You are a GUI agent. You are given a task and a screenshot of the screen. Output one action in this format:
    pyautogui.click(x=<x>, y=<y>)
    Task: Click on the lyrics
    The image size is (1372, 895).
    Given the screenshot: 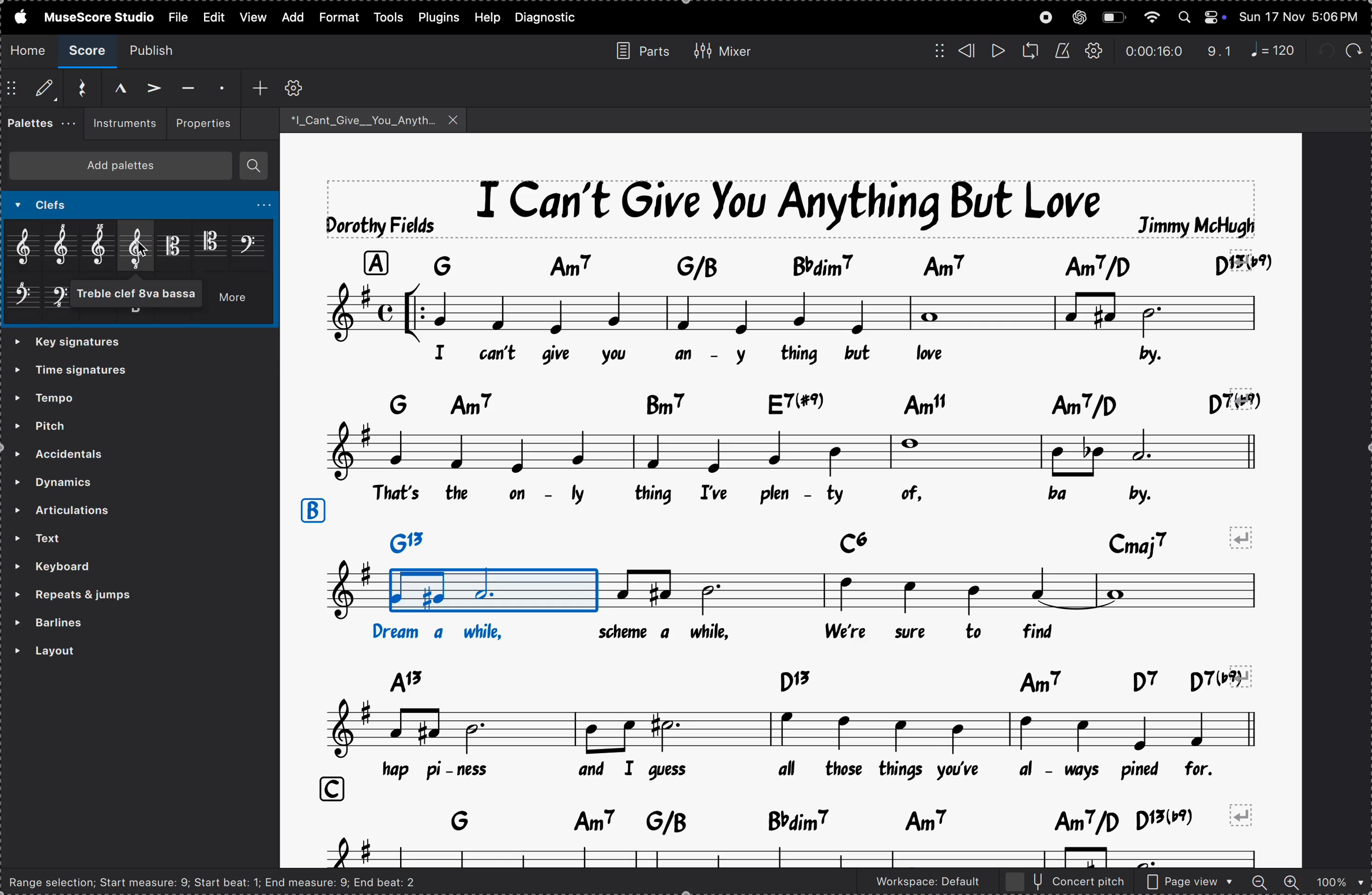 What is the action you would take?
    pyautogui.click(x=699, y=354)
    